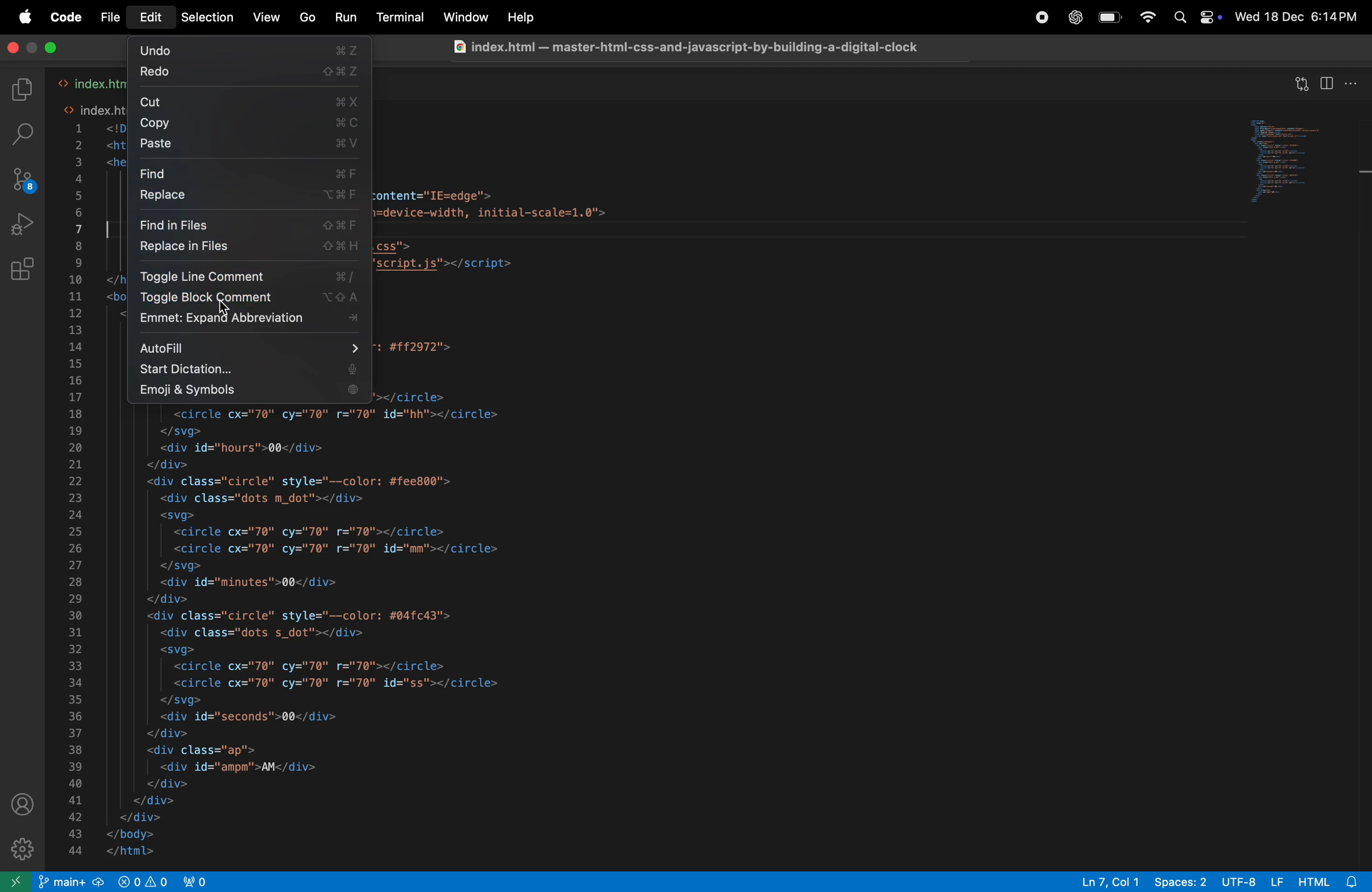 Image resolution: width=1372 pixels, height=892 pixels. What do you see at coordinates (250, 172) in the screenshot?
I see `find` at bounding box center [250, 172].